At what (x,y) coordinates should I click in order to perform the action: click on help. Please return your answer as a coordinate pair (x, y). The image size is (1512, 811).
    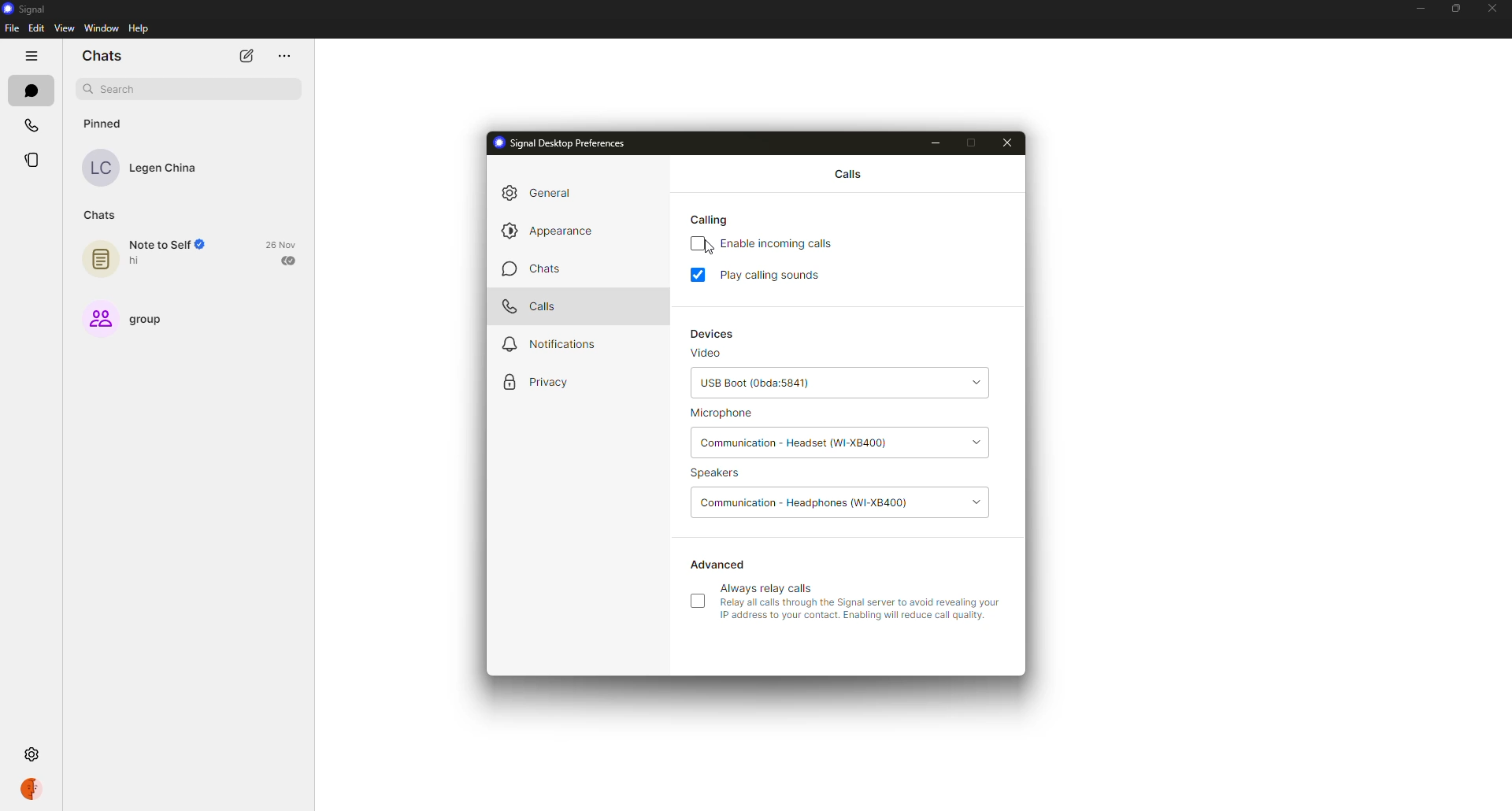
    Looking at the image, I should click on (140, 28).